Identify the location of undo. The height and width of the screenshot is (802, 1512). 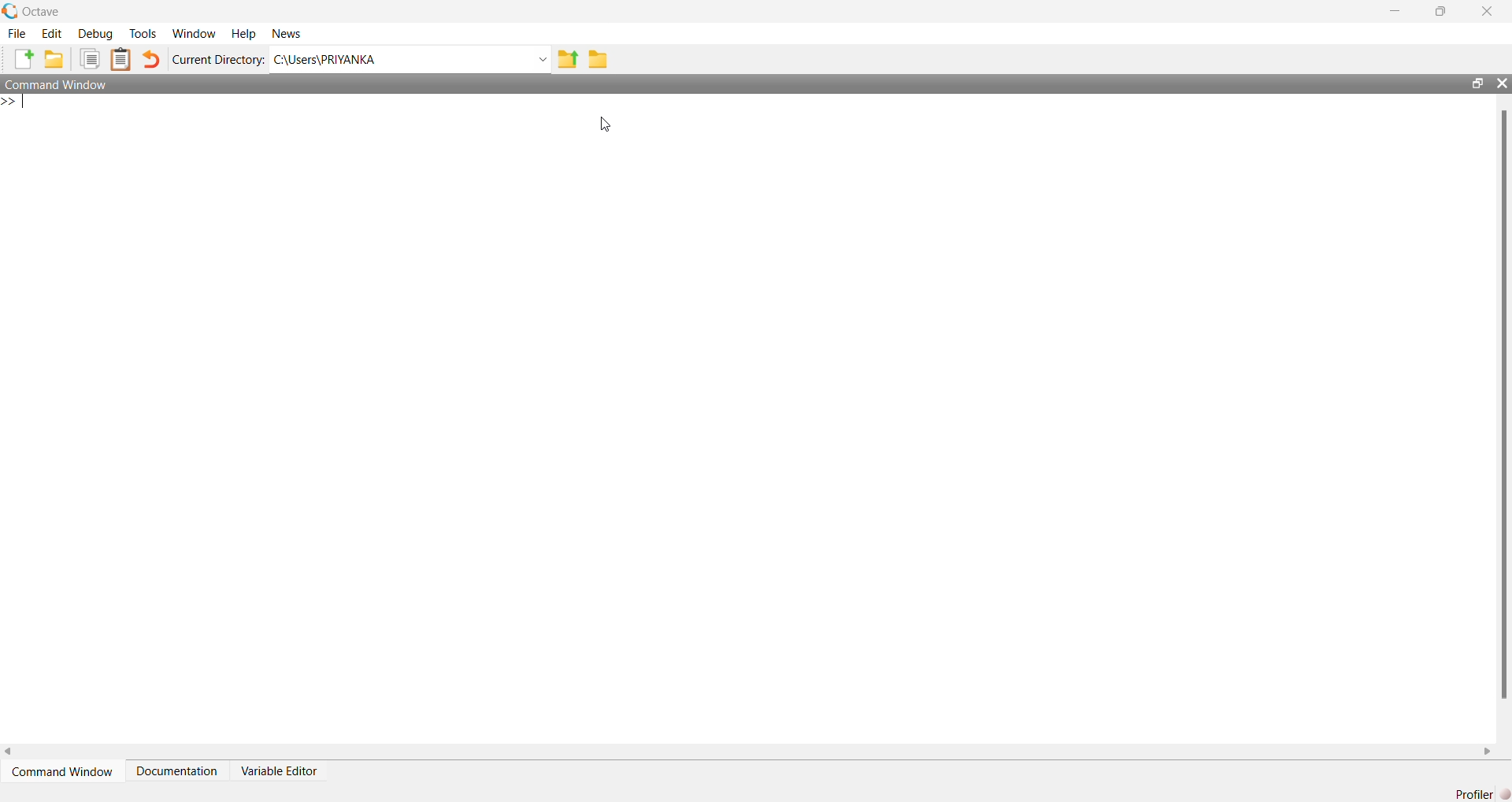
(151, 59).